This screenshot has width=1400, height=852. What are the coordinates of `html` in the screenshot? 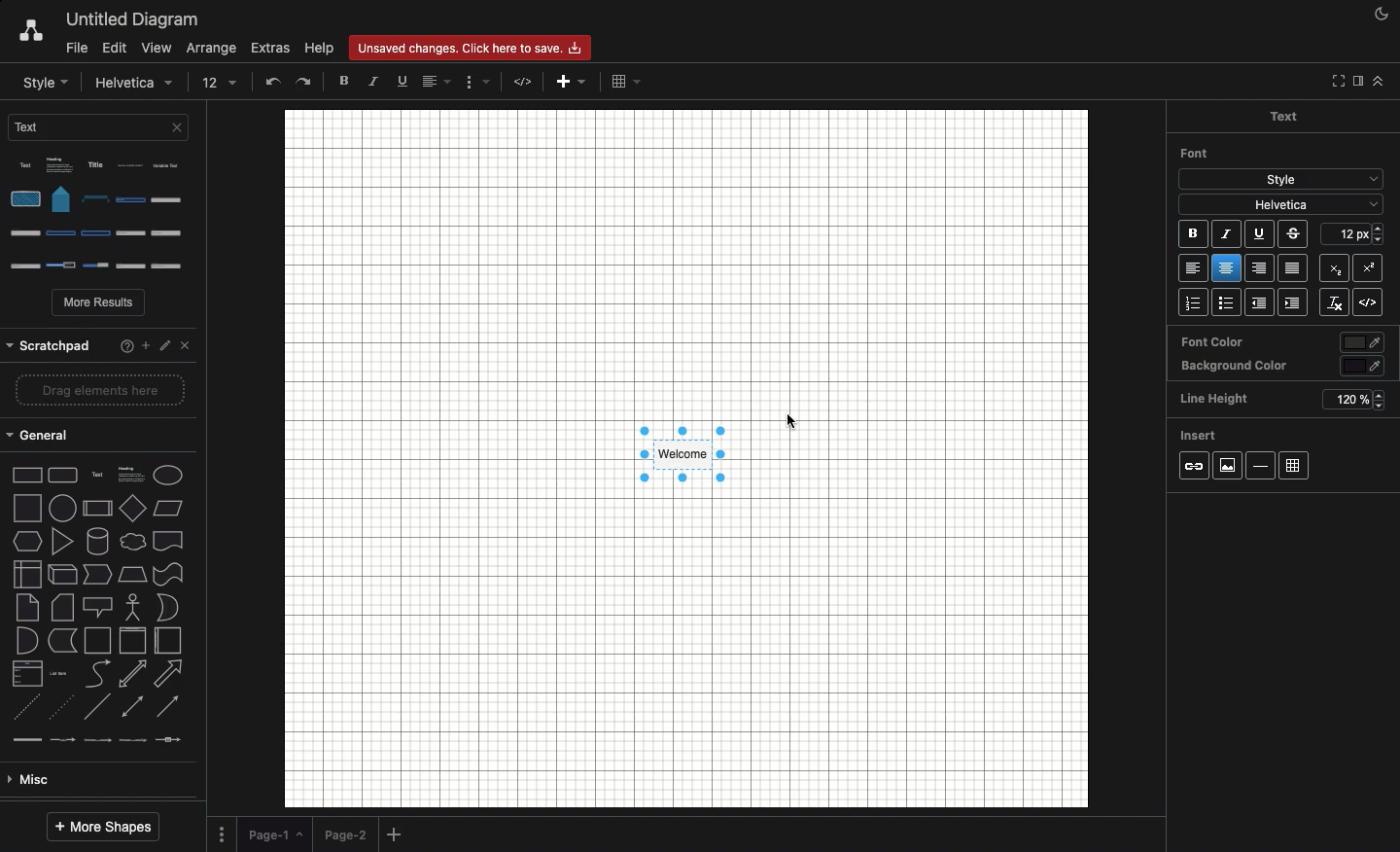 It's located at (1367, 303).